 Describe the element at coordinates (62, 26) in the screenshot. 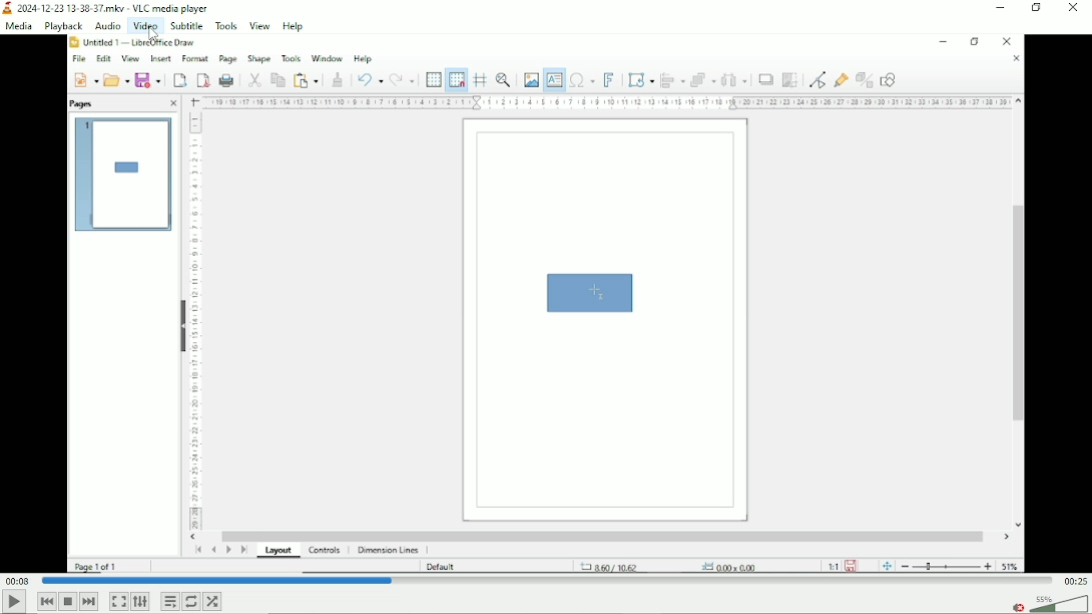

I see `Playback` at that location.